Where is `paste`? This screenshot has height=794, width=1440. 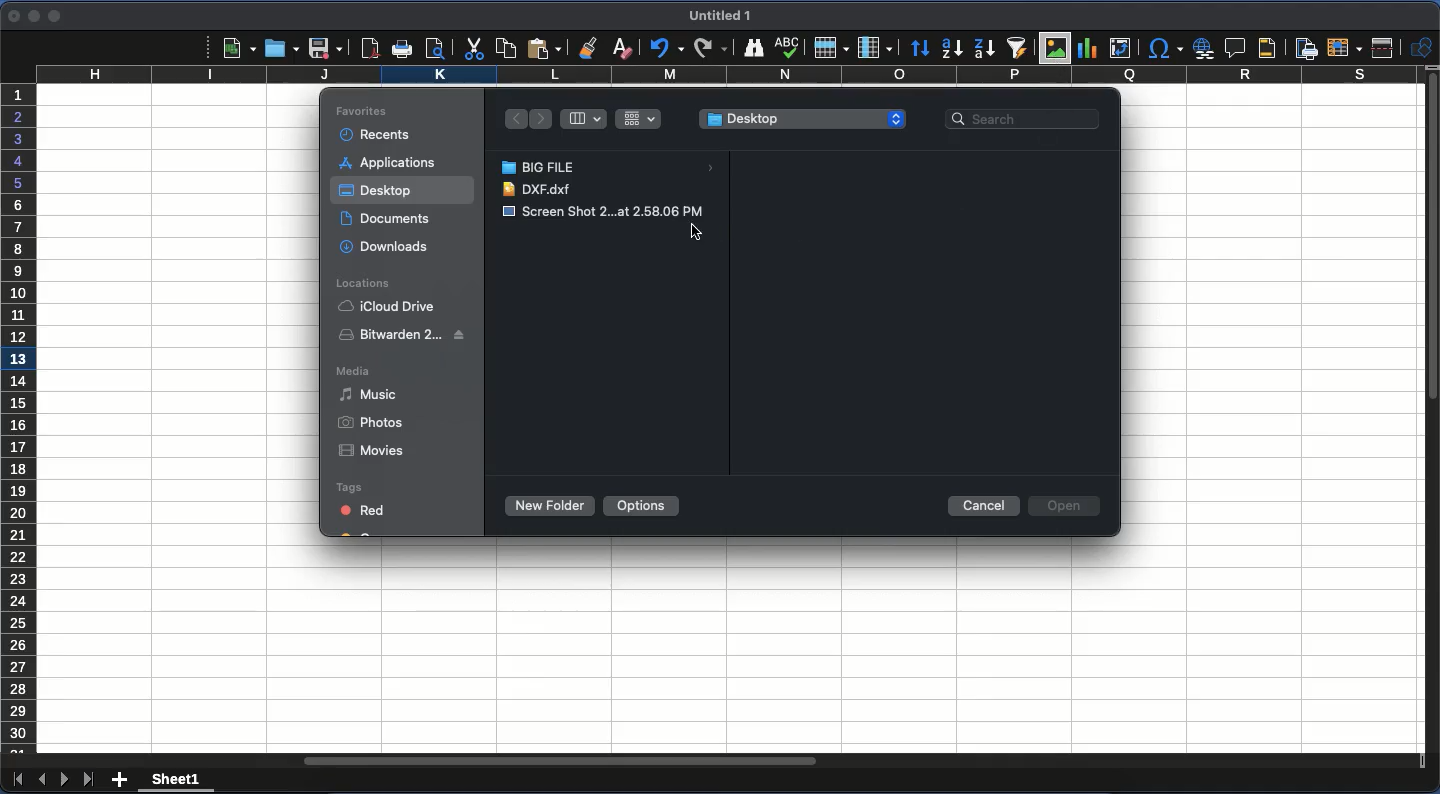
paste is located at coordinates (545, 47).